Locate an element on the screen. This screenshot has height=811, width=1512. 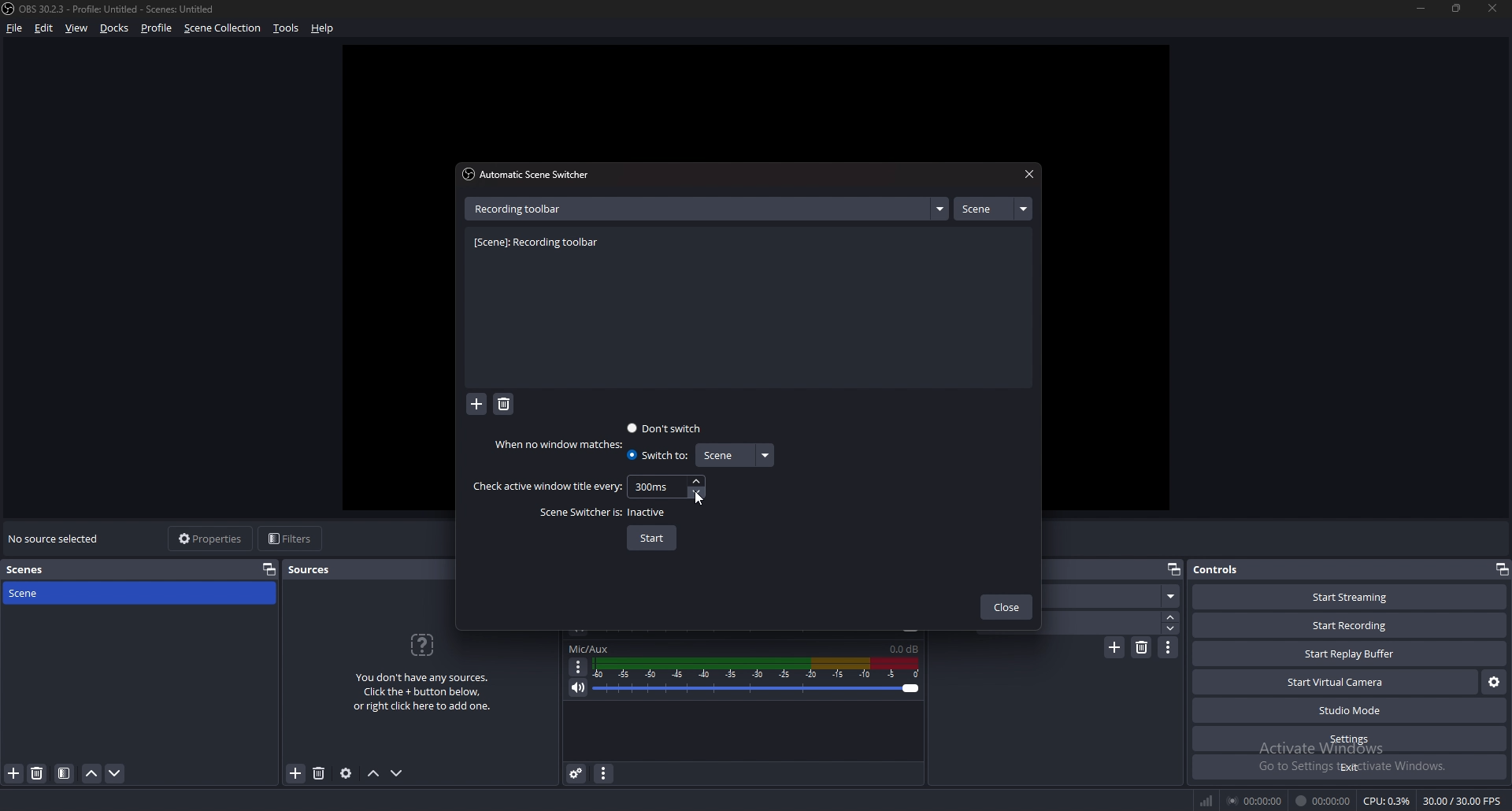
close is located at coordinates (1006, 609).